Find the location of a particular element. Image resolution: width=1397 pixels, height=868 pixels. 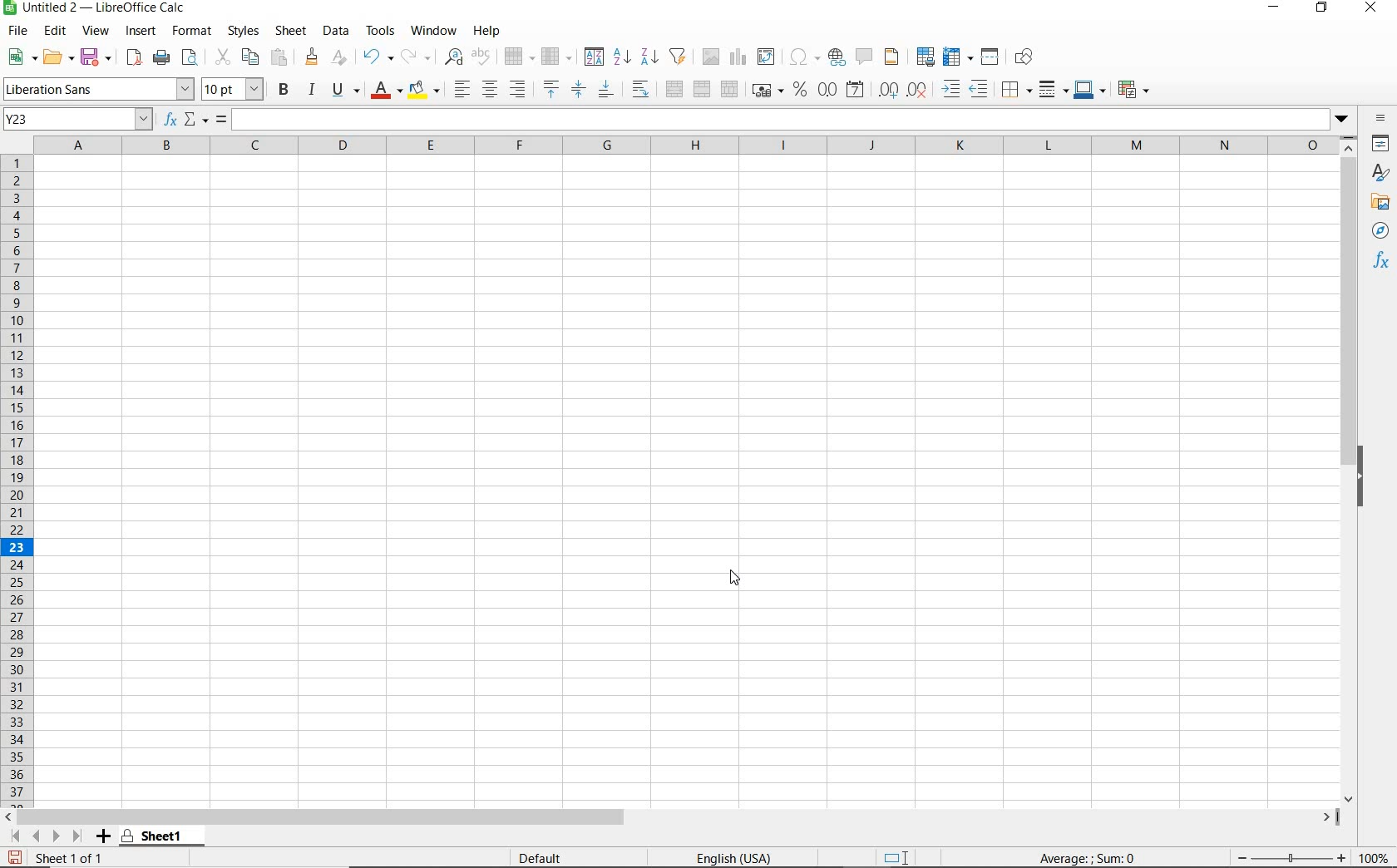

CENTER VERTICALLY is located at coordinates (579, 91).